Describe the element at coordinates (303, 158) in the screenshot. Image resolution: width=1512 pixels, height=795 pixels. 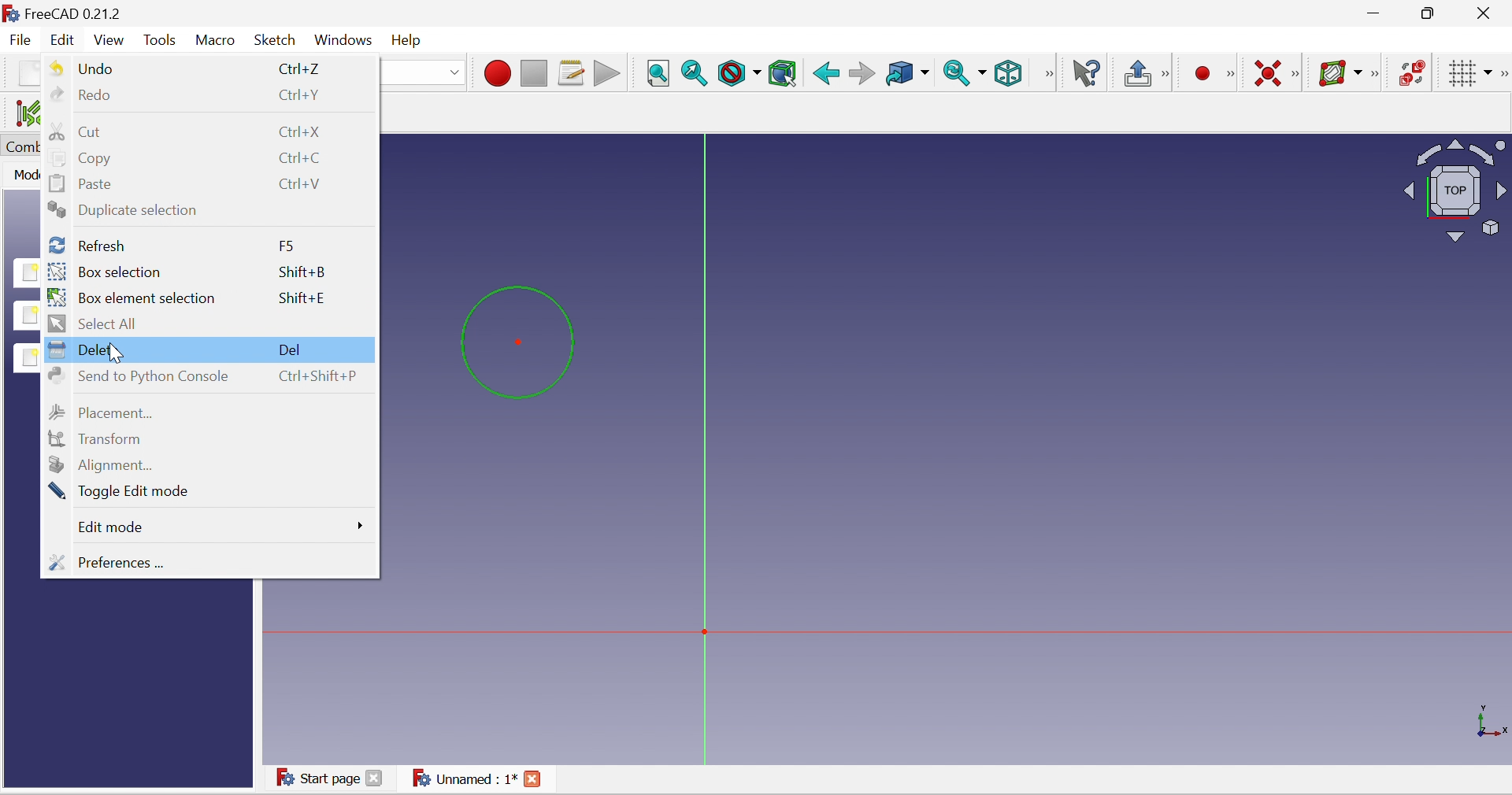
I see `Ctrl+C` at that location.